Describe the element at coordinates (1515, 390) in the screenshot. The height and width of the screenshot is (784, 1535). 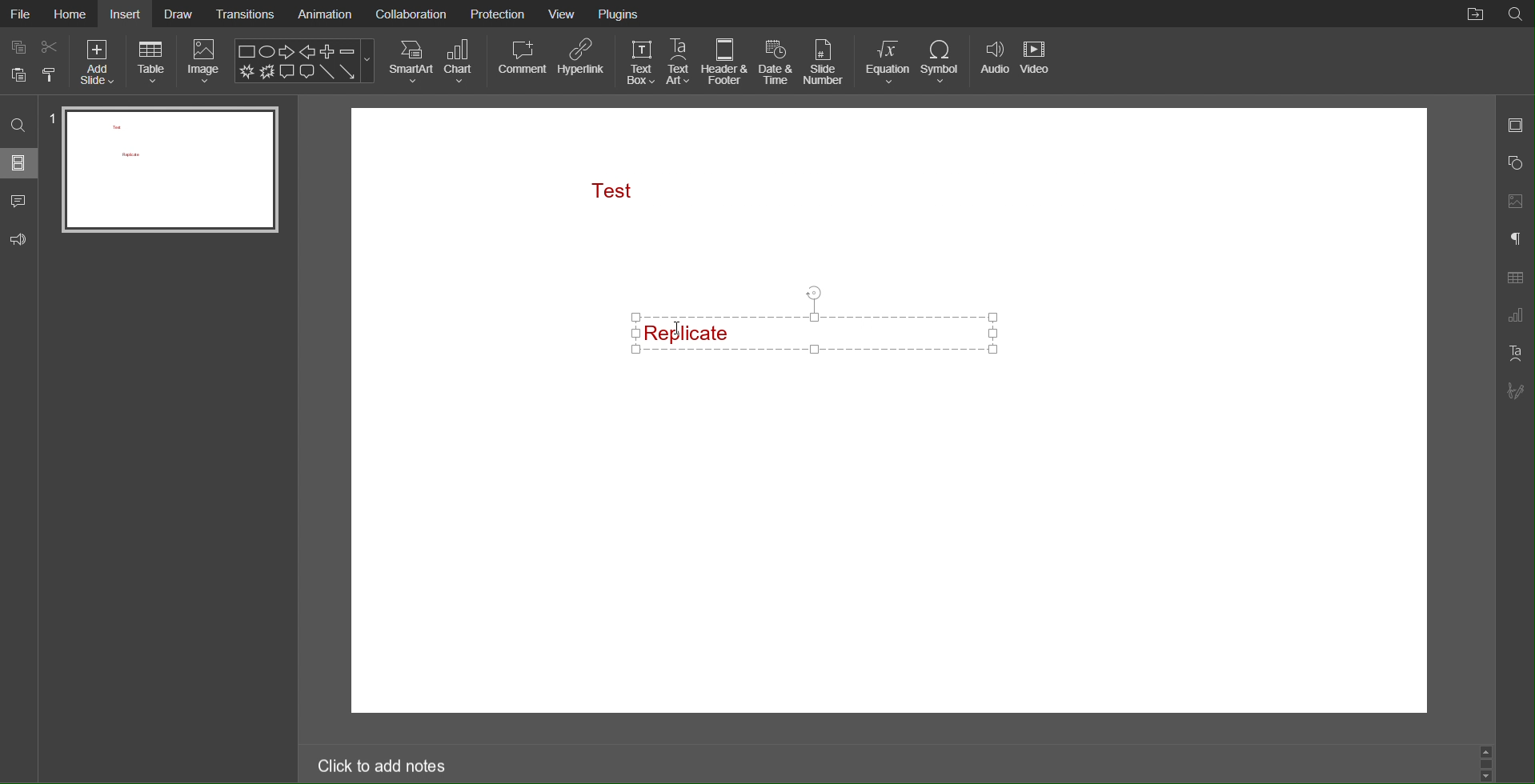
I see `Signature` at that location.